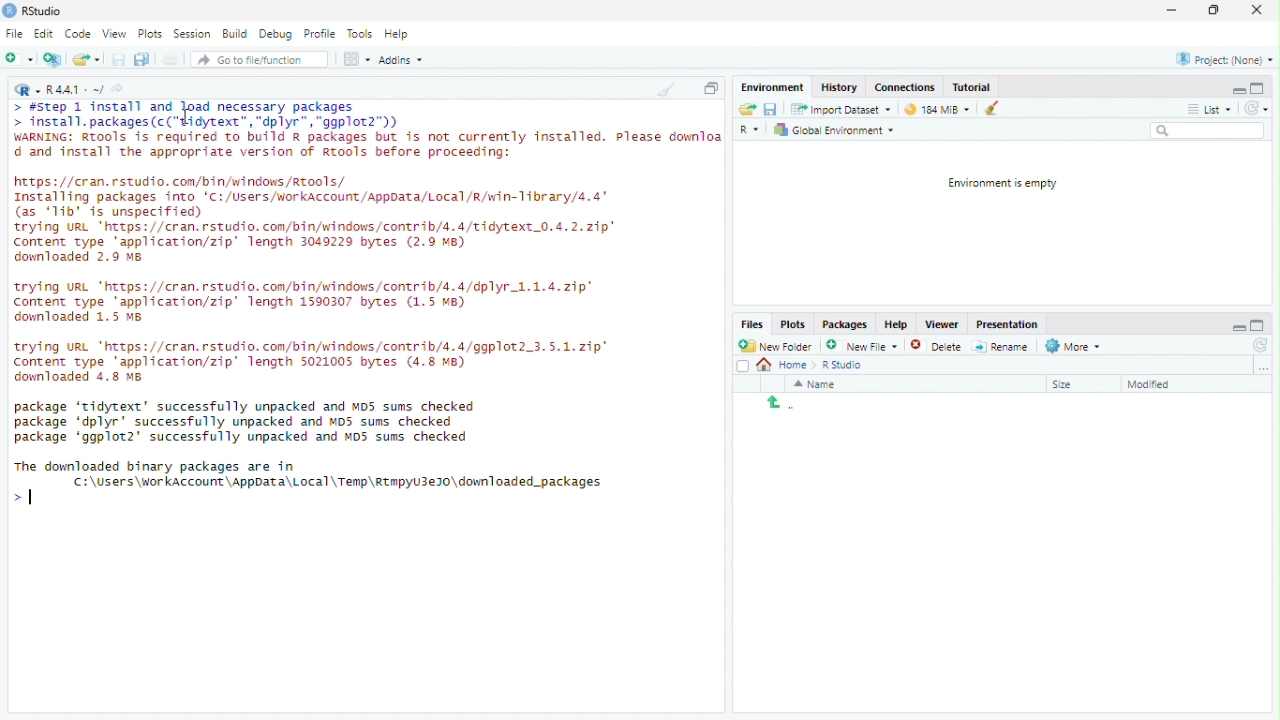 The image size is (1280, 720). I want to click on trying URL “https://cran.rstudio.com/bin/windows/contrib/4.4/dplyr_1.1.4.zip"
Content type 'application/zip’ length 1590307 bytes (1.5 MB)
downloaded 1.5 MB, so click(310, 303).